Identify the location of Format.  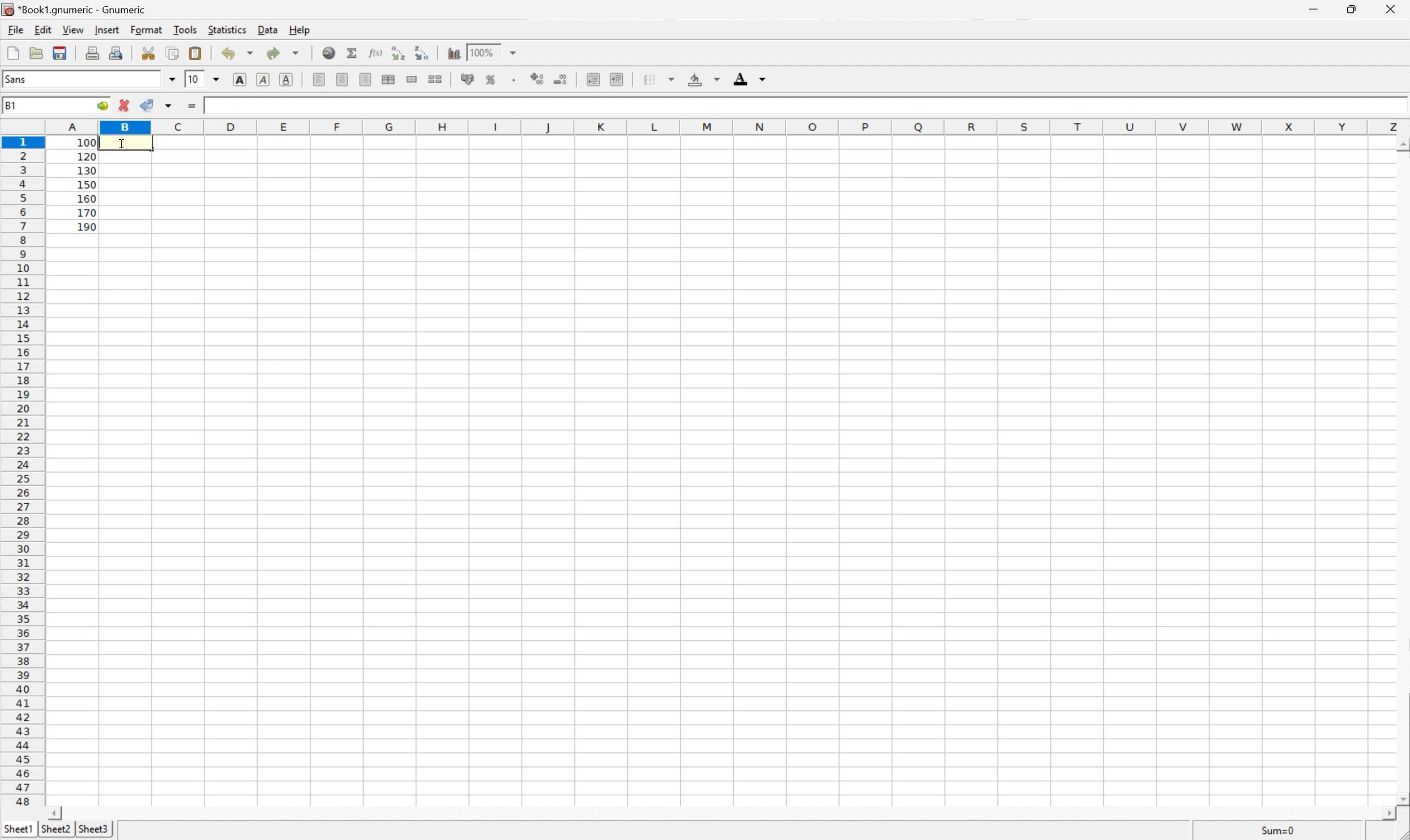
(147, 29).